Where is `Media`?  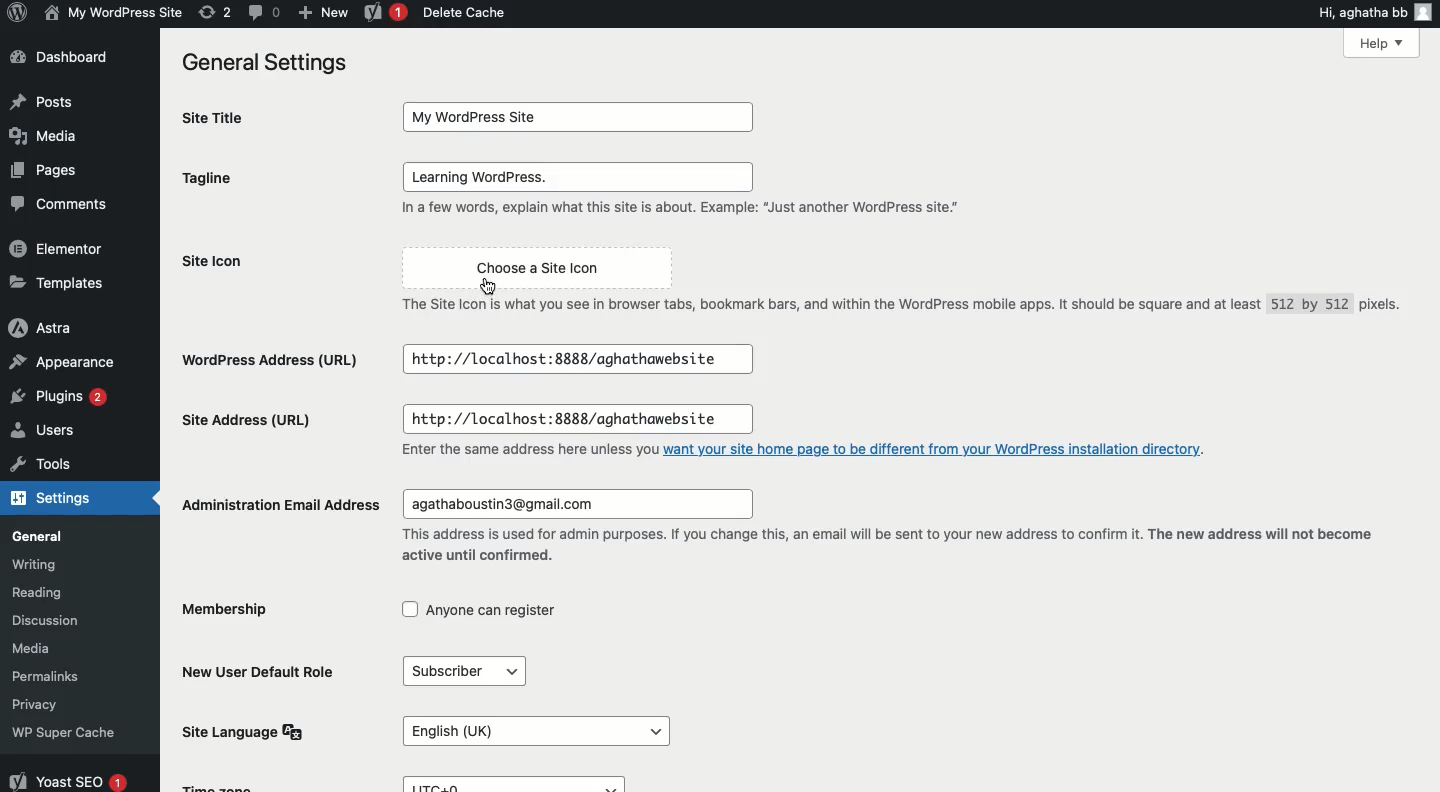
Media is located at coordinates (61, 646).